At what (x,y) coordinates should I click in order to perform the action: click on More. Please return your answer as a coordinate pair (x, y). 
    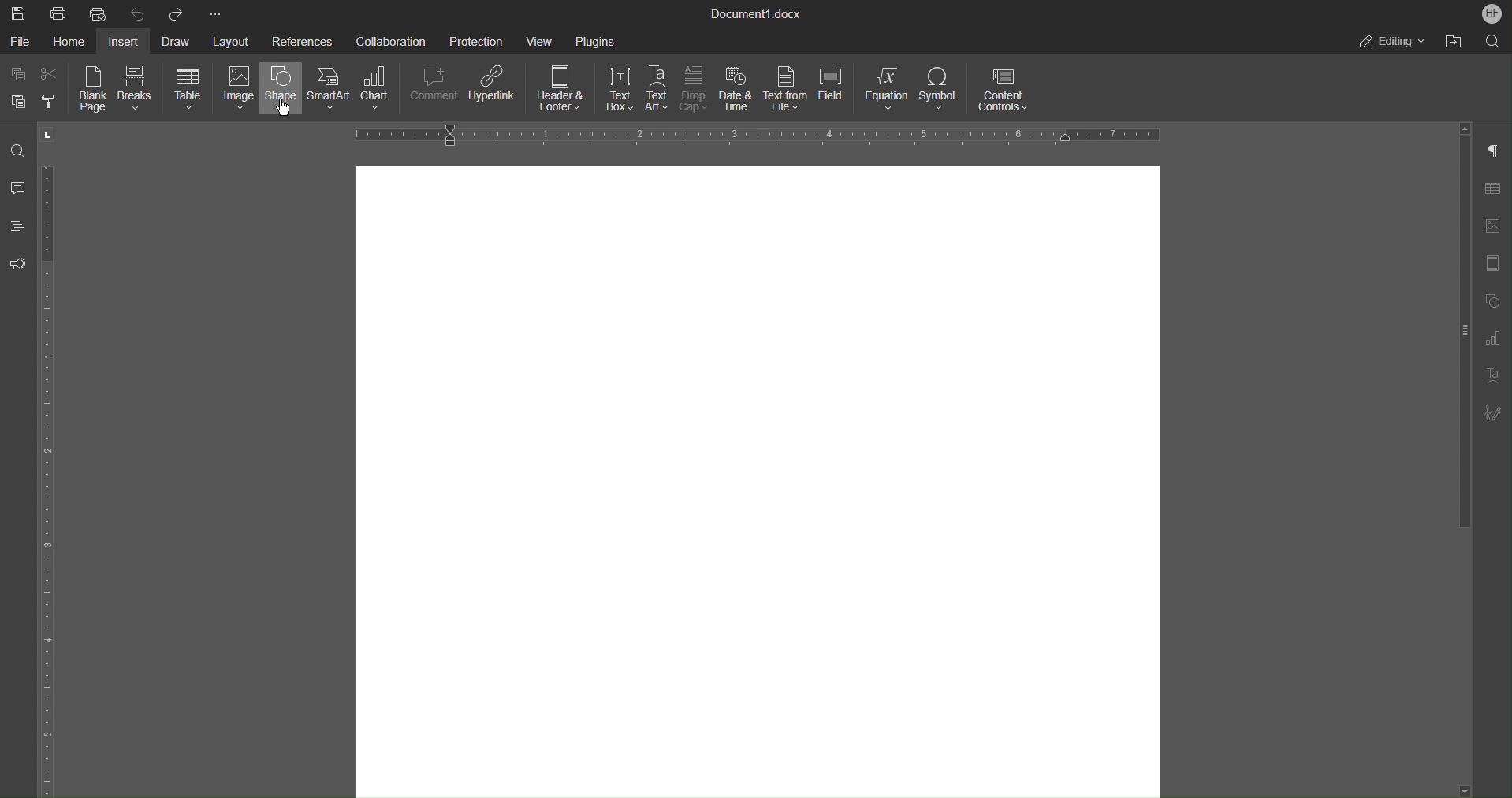
    Looking at the image, I should click on (214, 12).